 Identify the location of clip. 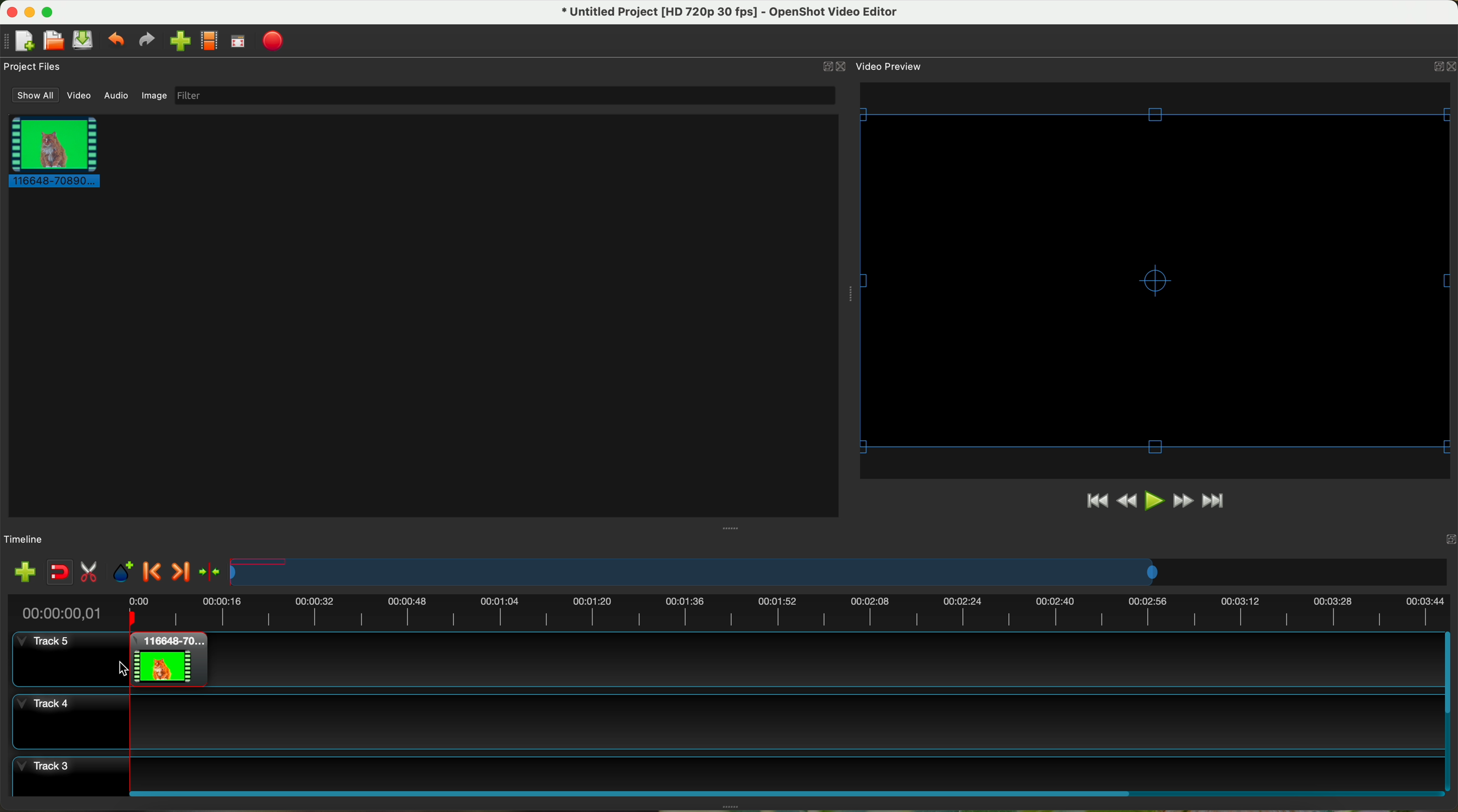
(51, 151).